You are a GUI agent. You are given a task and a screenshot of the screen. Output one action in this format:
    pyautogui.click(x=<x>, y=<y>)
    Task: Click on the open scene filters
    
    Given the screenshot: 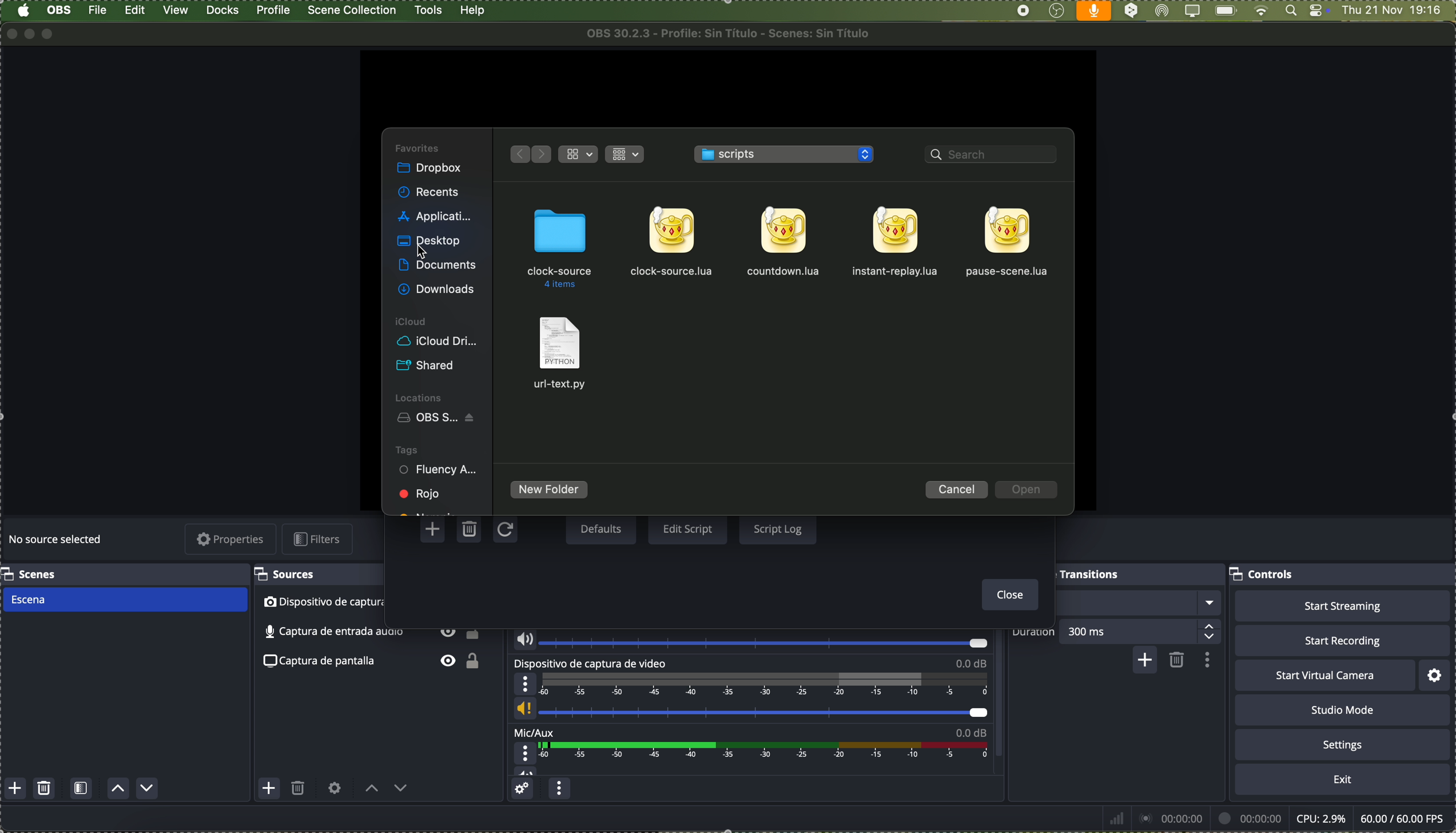 What is the action you would take?
    pyautogui.click(x=81, y=790)
    